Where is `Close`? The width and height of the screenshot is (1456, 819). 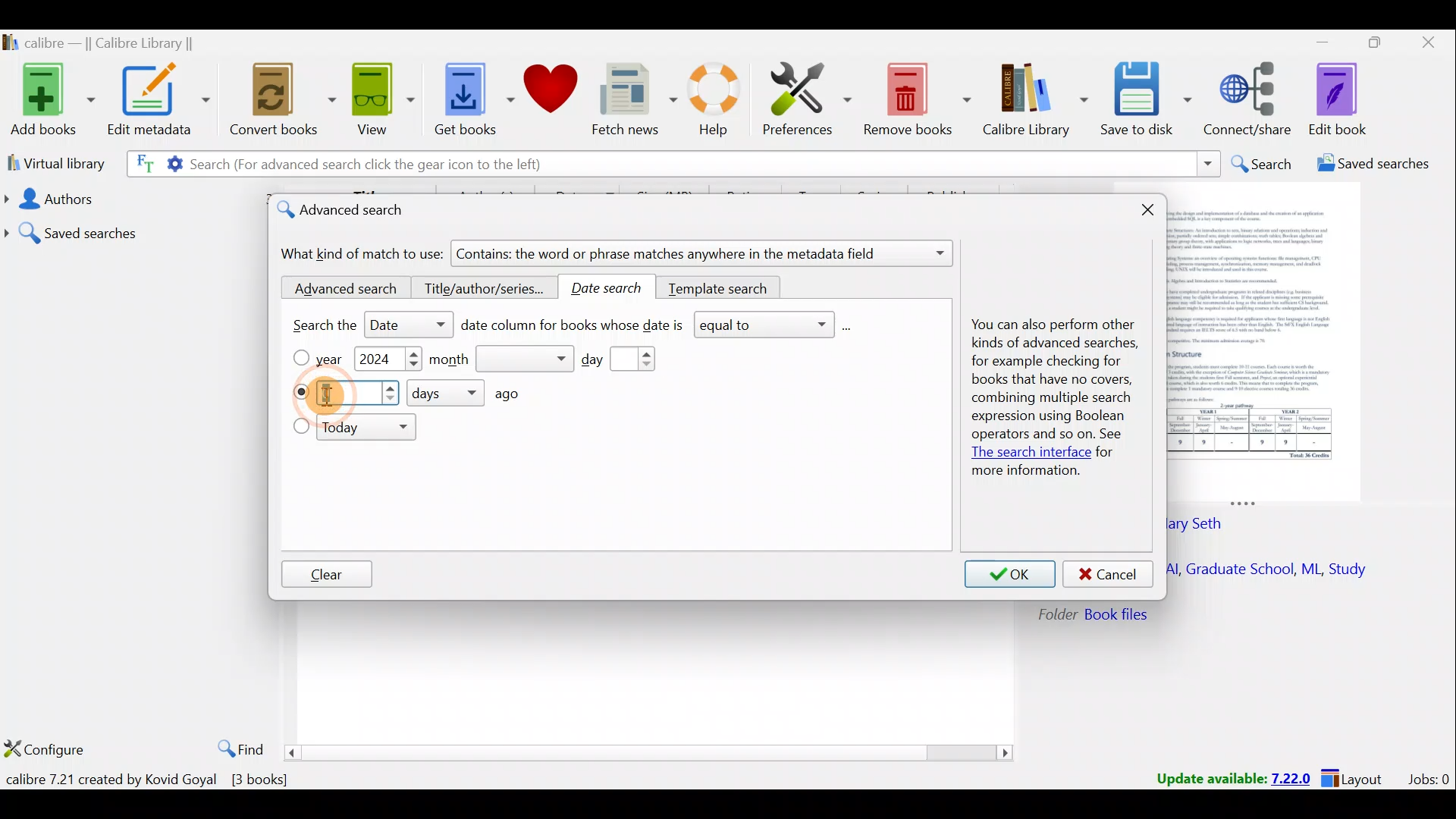 Close is located at coordinates (1426, 45).